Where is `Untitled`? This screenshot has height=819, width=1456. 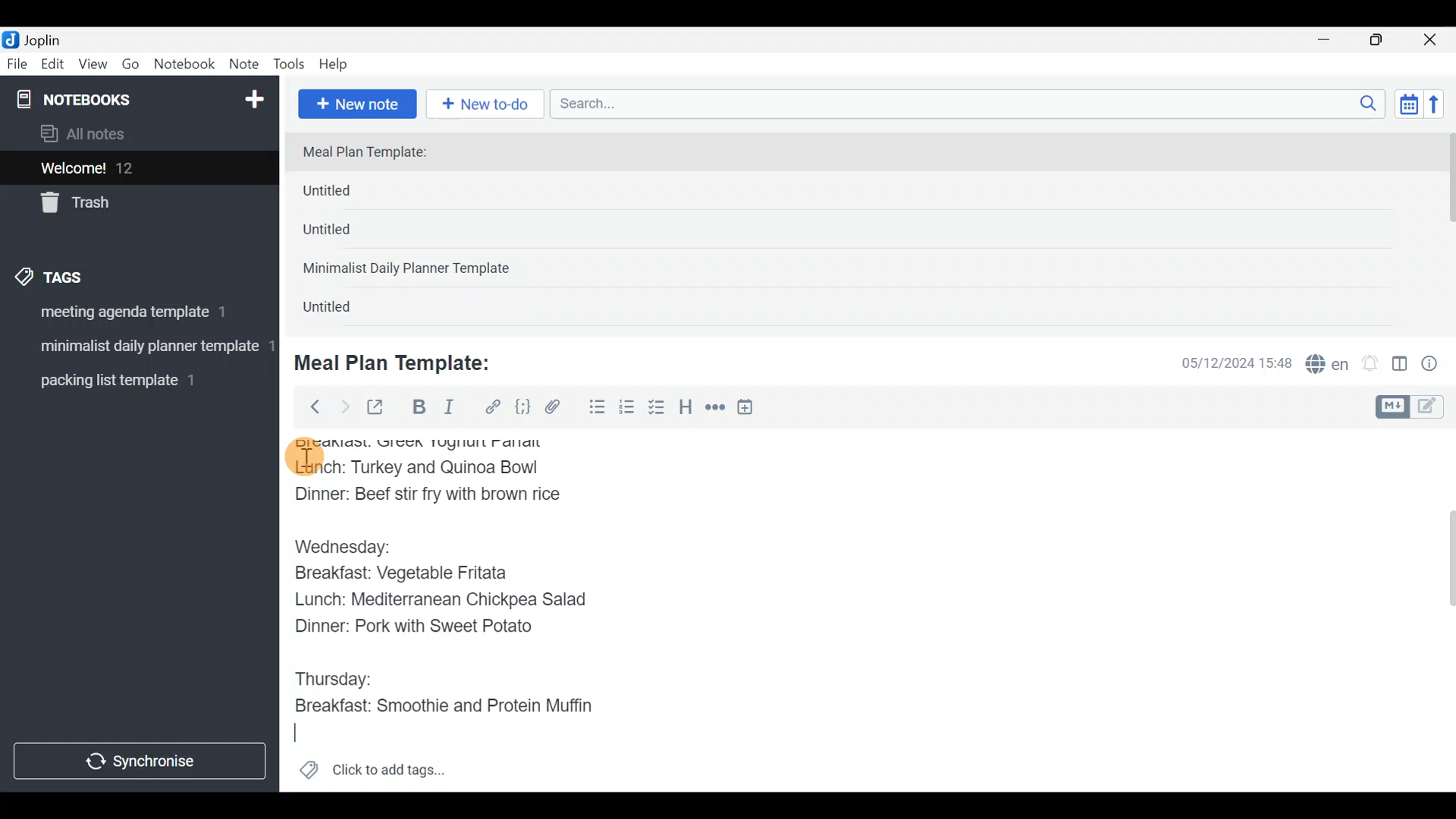 Untitled is located at coordinates (347, 234).